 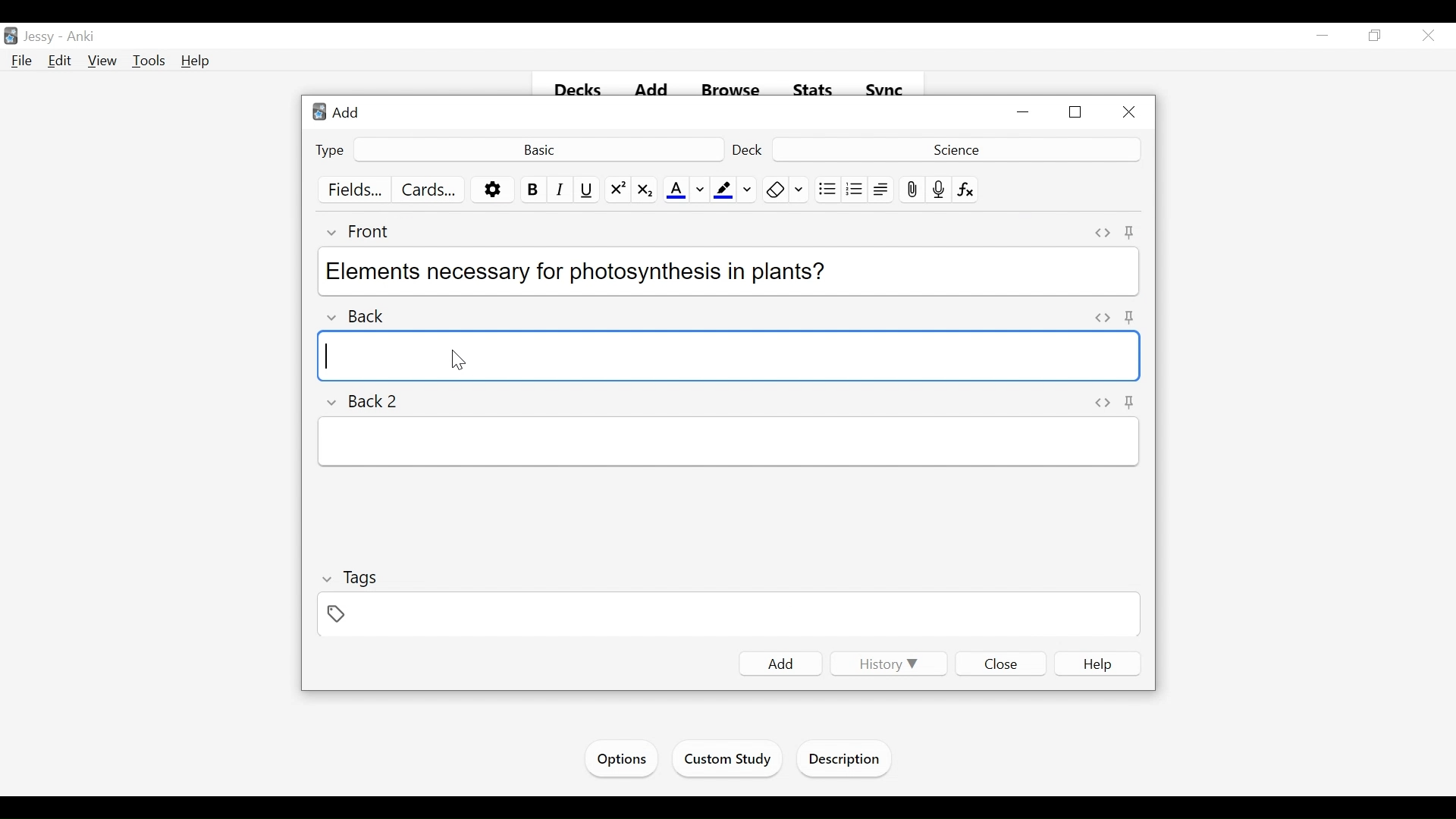 What do you see at coordinates (196, 61) in the screenshot?
I see `Help` at bounding box center [196, 61].